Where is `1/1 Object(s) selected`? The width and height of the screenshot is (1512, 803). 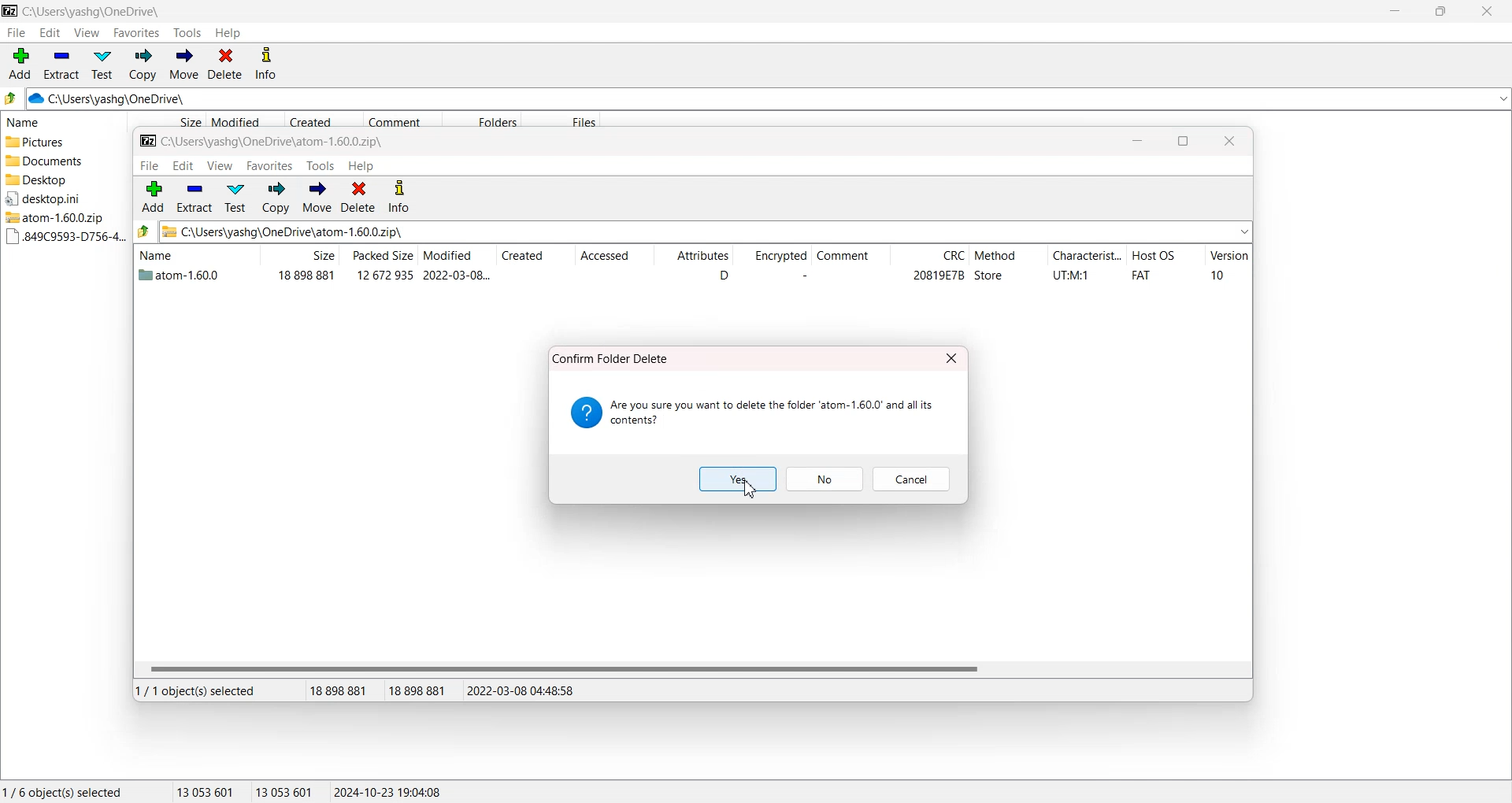
1/1 Object(s) selected is located at coordinates (195, 690).